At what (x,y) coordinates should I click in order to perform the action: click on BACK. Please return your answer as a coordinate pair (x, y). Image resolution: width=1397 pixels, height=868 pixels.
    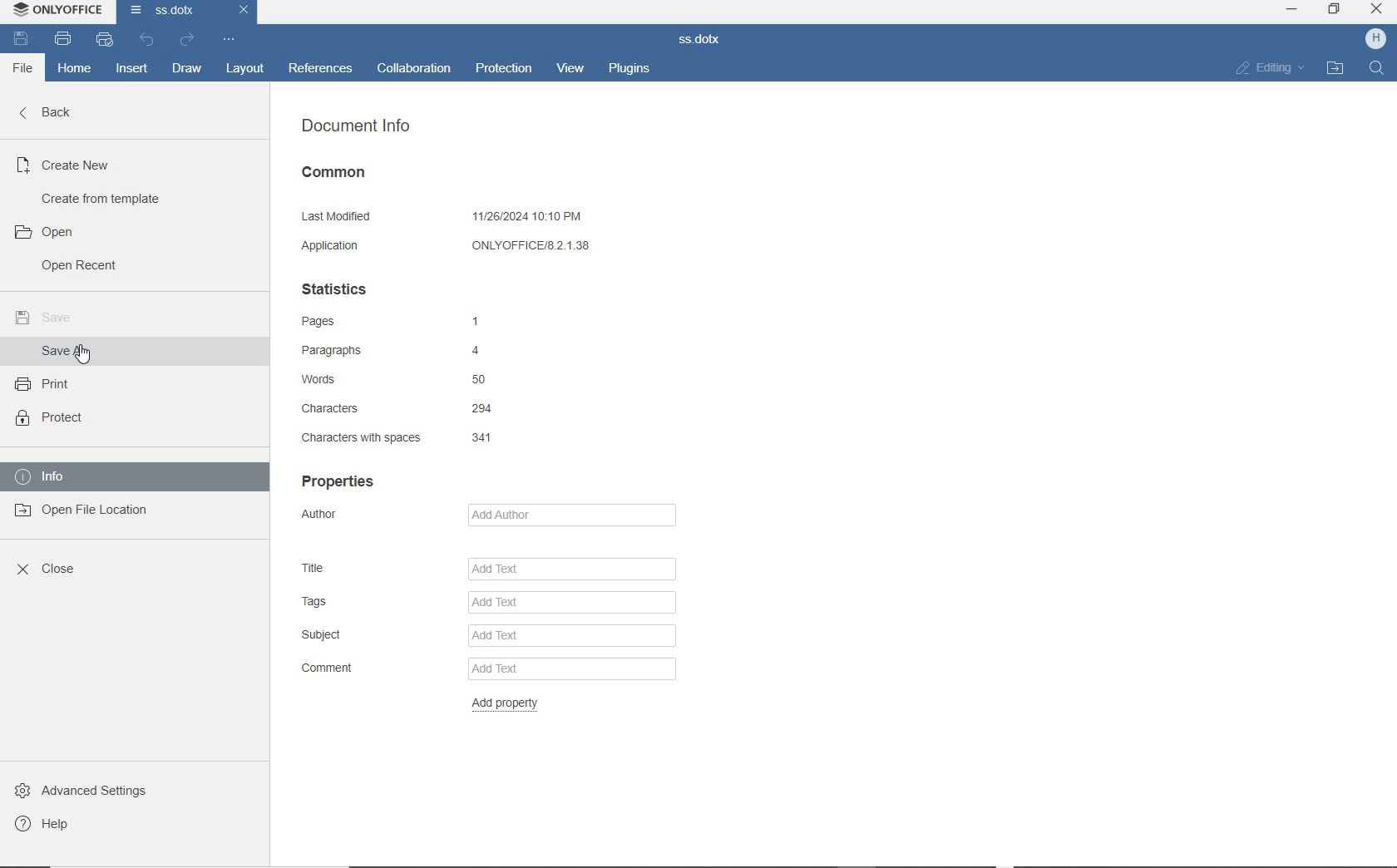
    Looking at the image, I should click on (42, 116).